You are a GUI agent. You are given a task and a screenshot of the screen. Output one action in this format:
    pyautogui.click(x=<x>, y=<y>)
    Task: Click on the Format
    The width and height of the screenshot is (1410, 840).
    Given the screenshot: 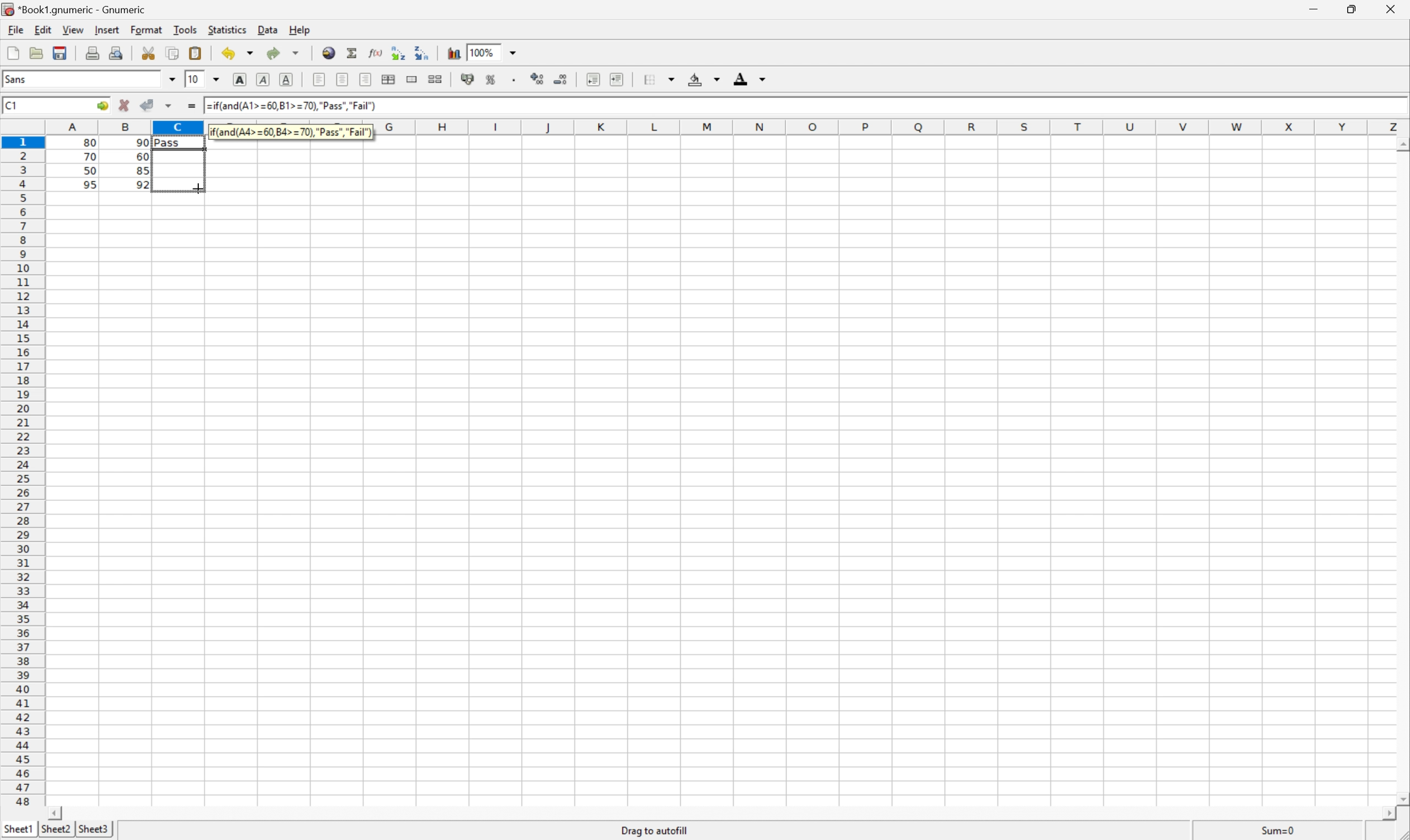 What is the action you would take?
    pyautogui.click(x=146, y=28)
    